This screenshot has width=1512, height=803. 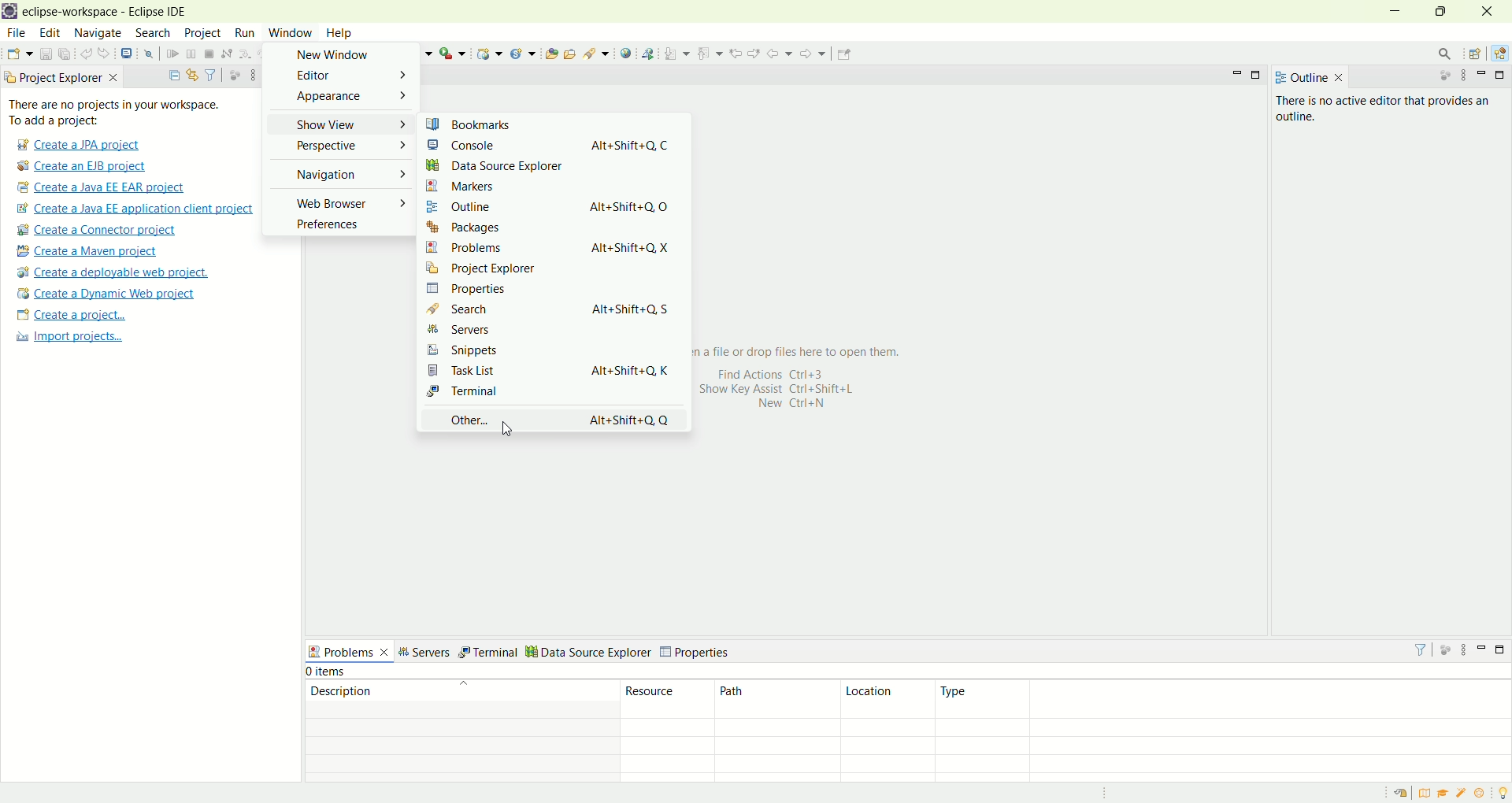 What do you see at coordinates (491, 394) in the screenshot?
I see `terminal` at bounding box center [491, 394].